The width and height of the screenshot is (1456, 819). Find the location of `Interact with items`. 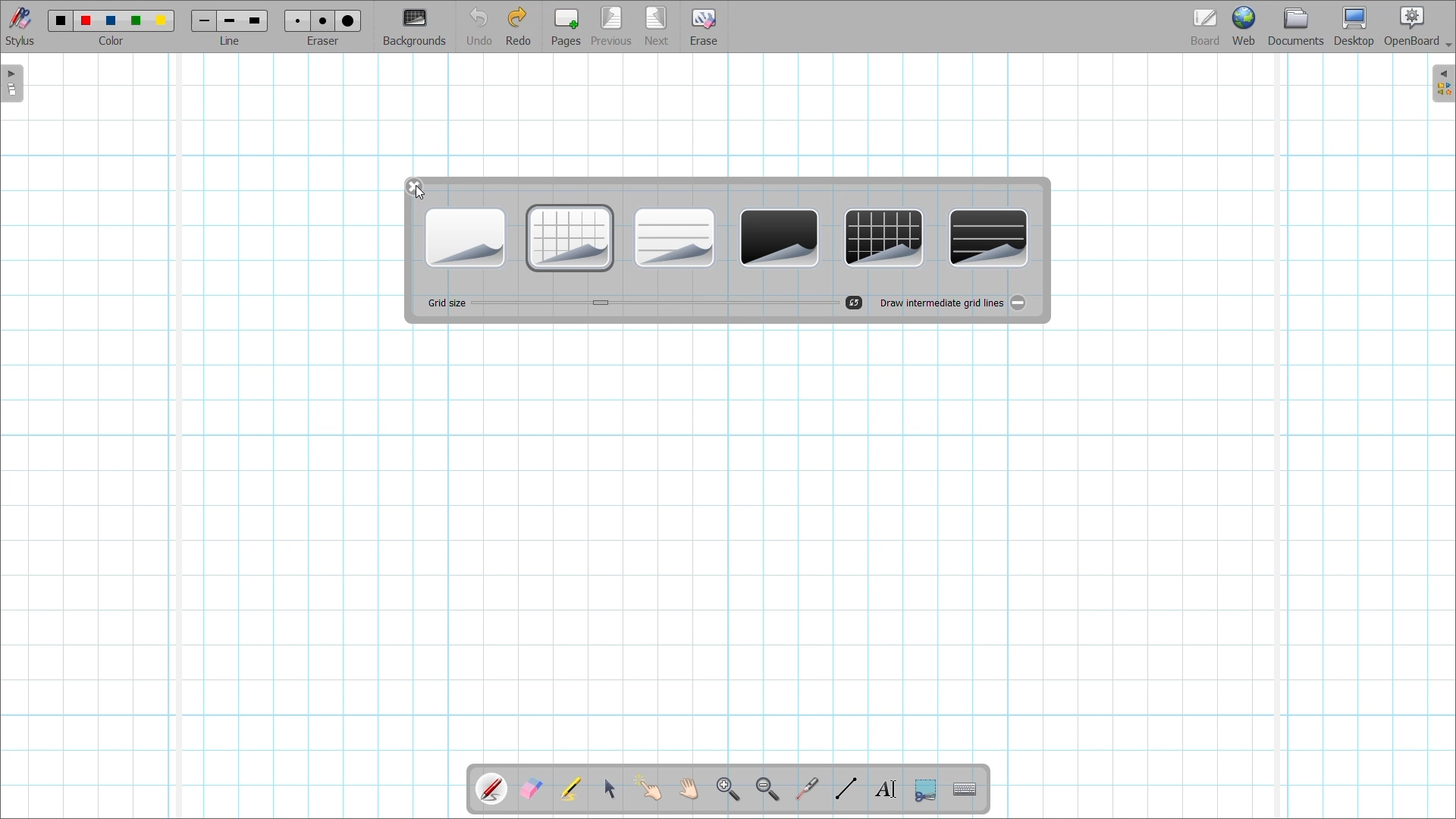

Interact with items is located at coordinates (648, 787).